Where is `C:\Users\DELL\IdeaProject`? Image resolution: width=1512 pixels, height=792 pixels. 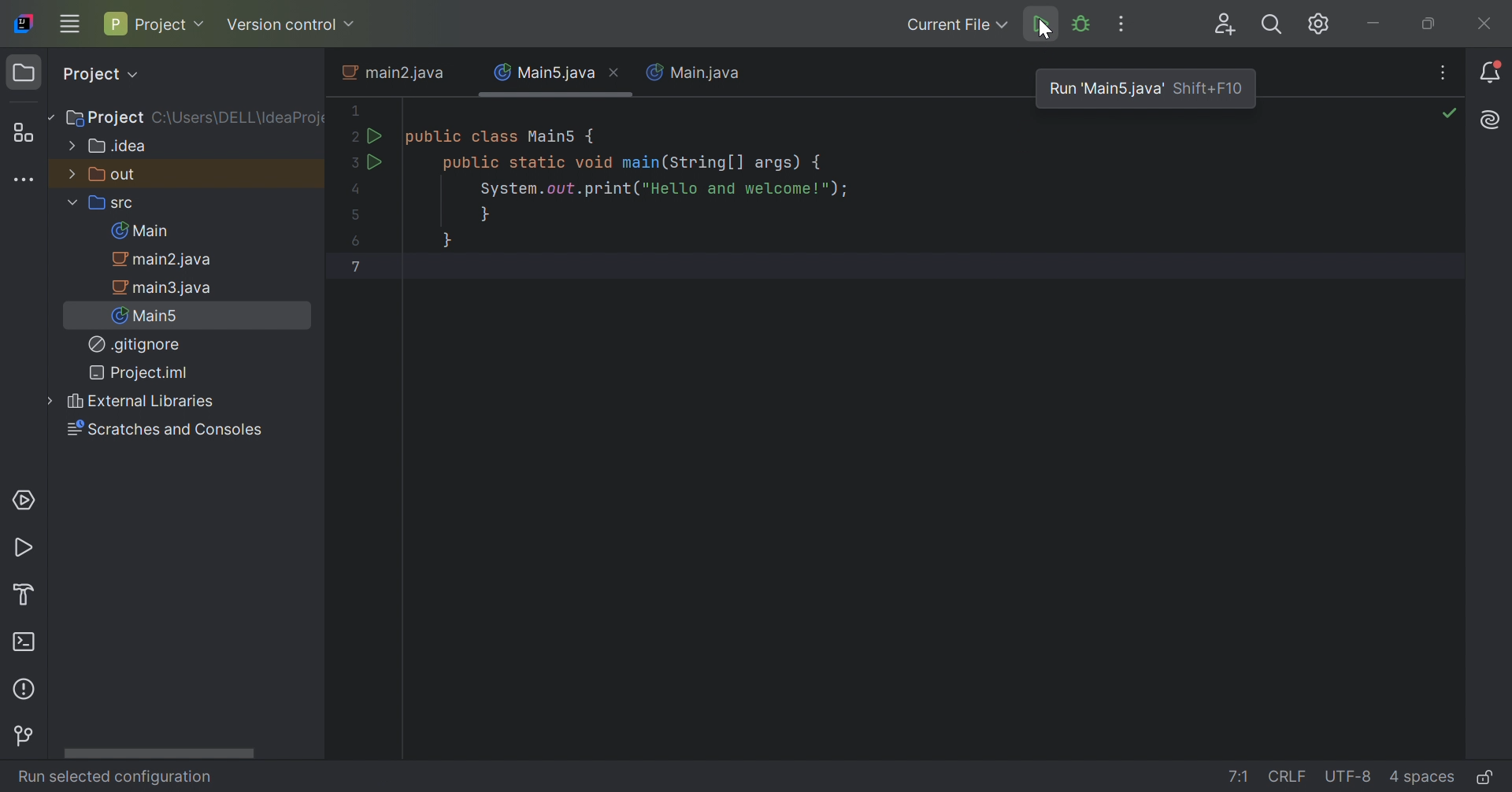
C:\Users\DELL\IdeaProject is located at coordinates (242, 119).